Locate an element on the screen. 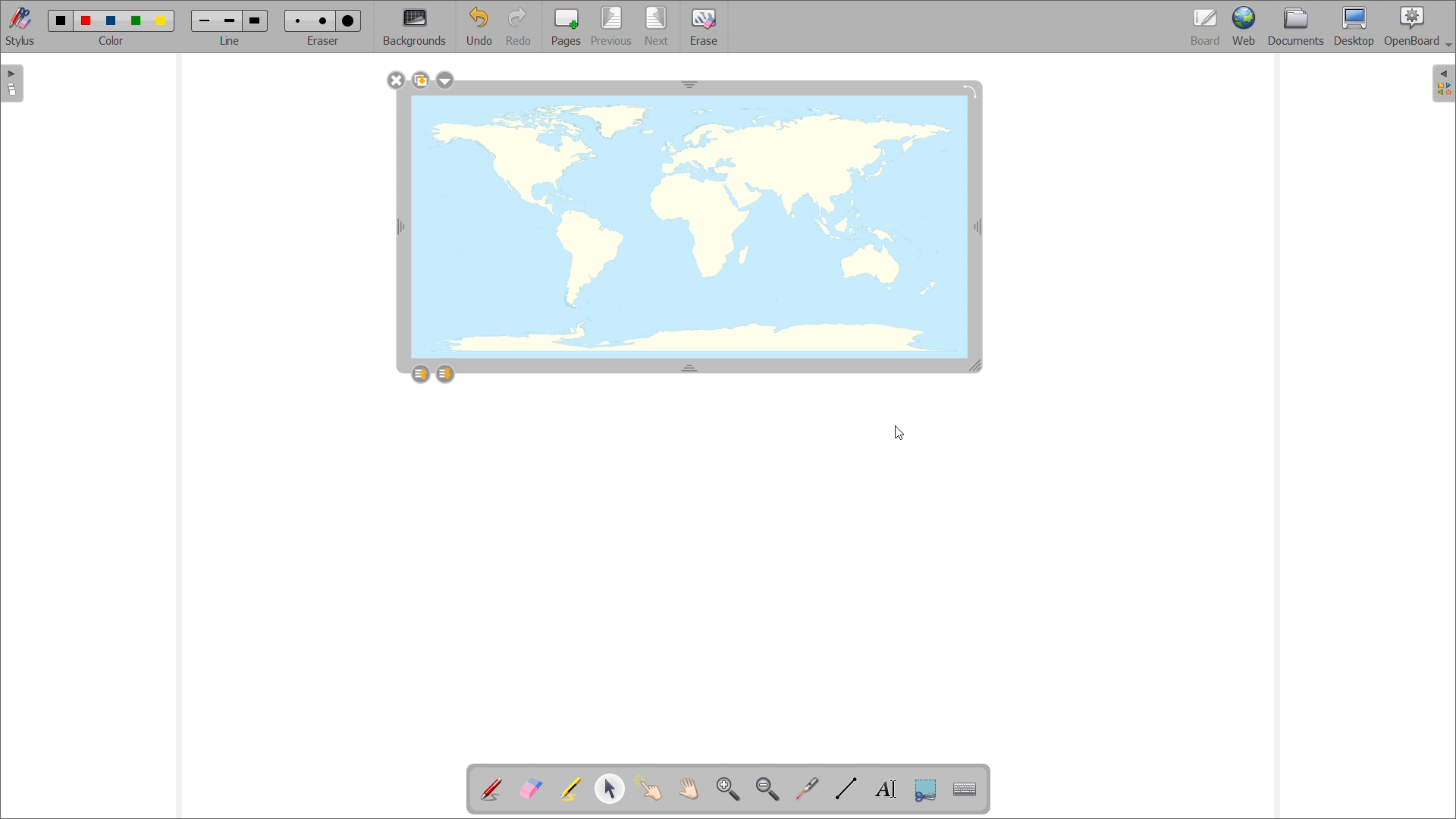 The height and width of the screenshot is (819, 1456). resize is located at coordinates (690, 83).